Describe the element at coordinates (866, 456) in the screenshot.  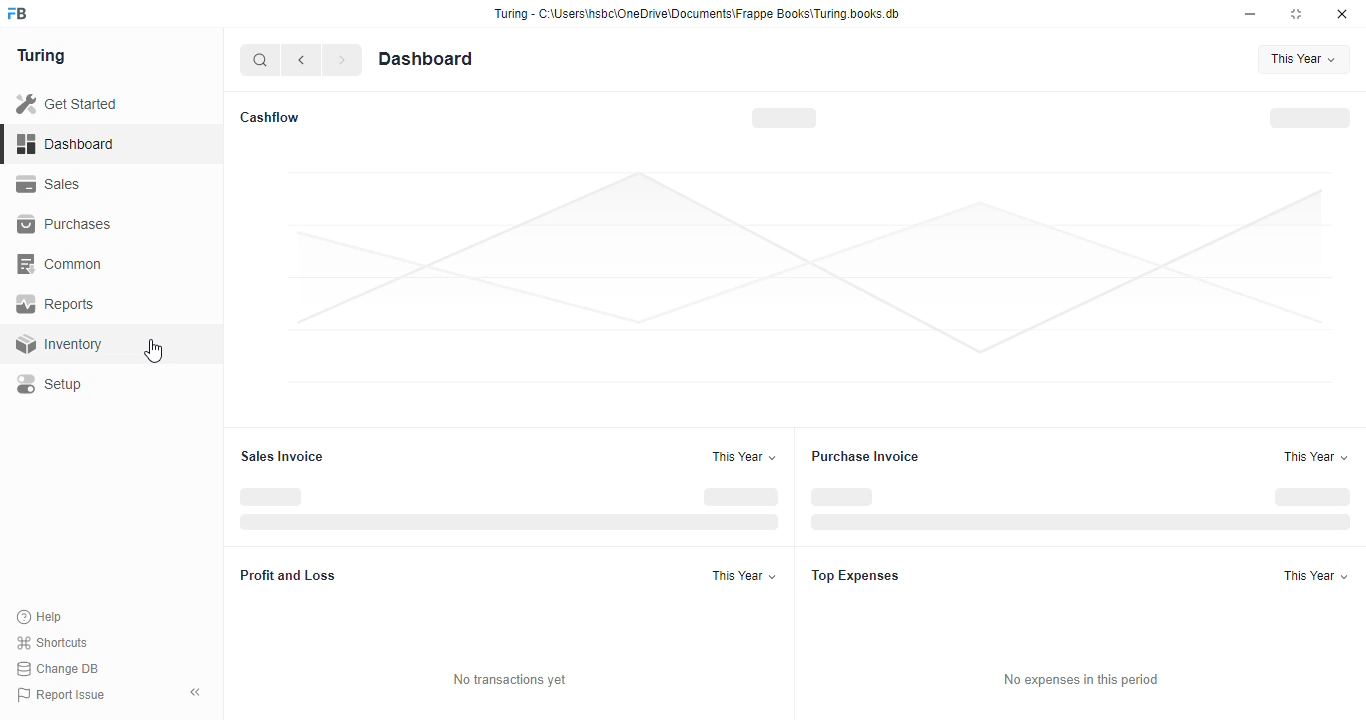
I see `purchase invoice` at that location.